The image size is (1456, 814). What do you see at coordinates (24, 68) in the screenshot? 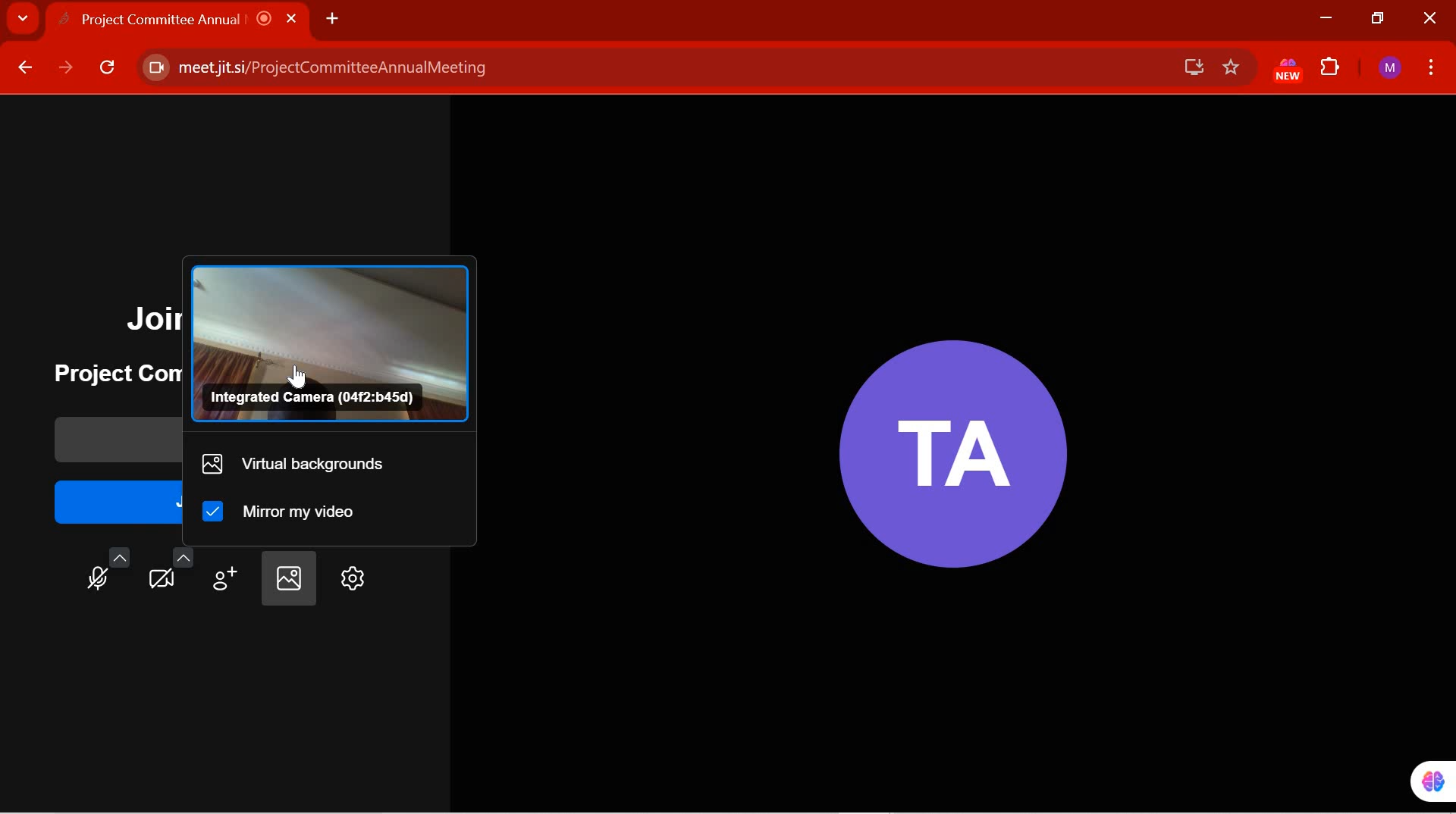
I see `BACK` at bounding box center [24, 68].